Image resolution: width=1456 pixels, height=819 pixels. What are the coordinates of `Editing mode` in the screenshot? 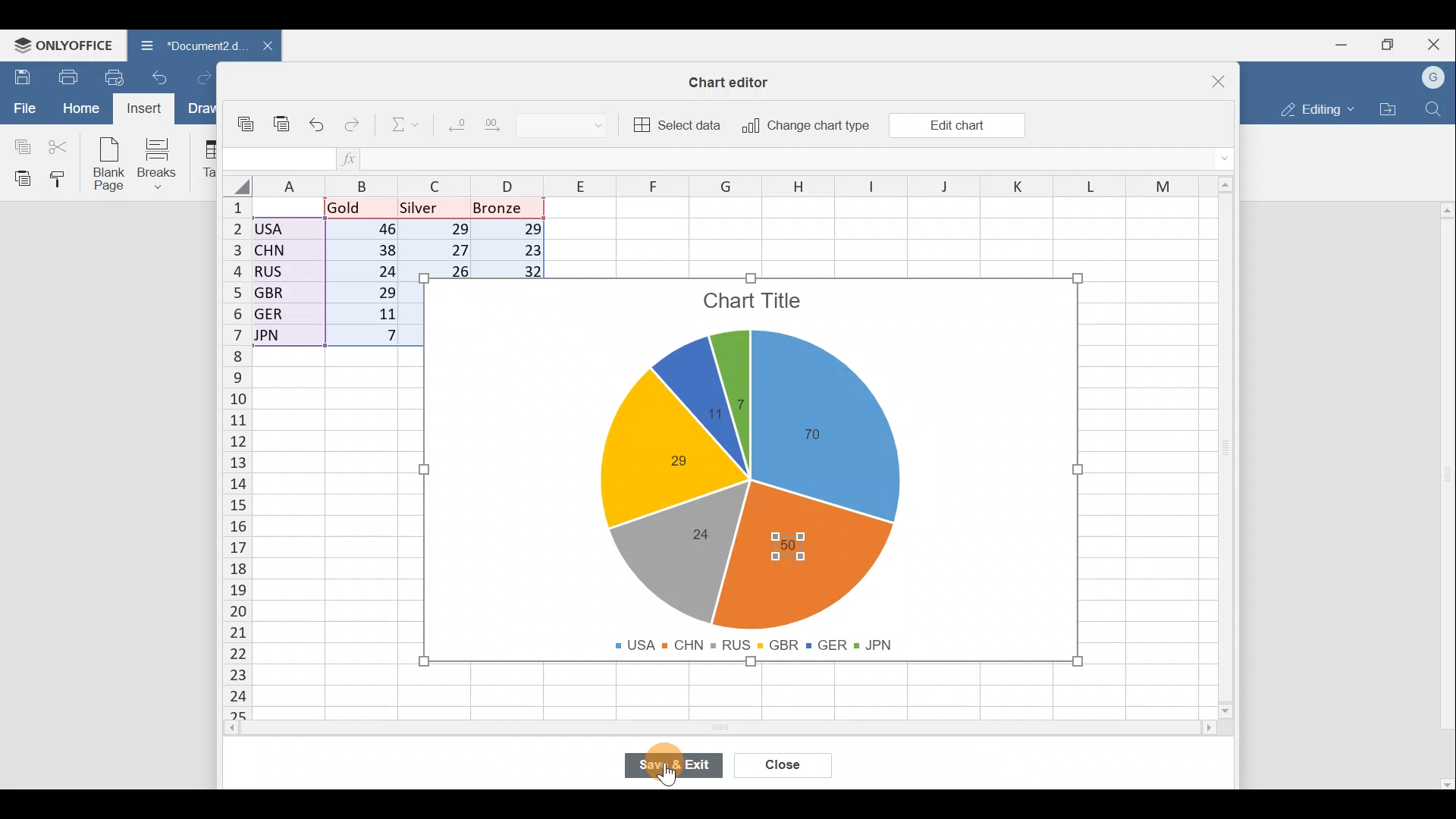 It's located at (1316, 106).